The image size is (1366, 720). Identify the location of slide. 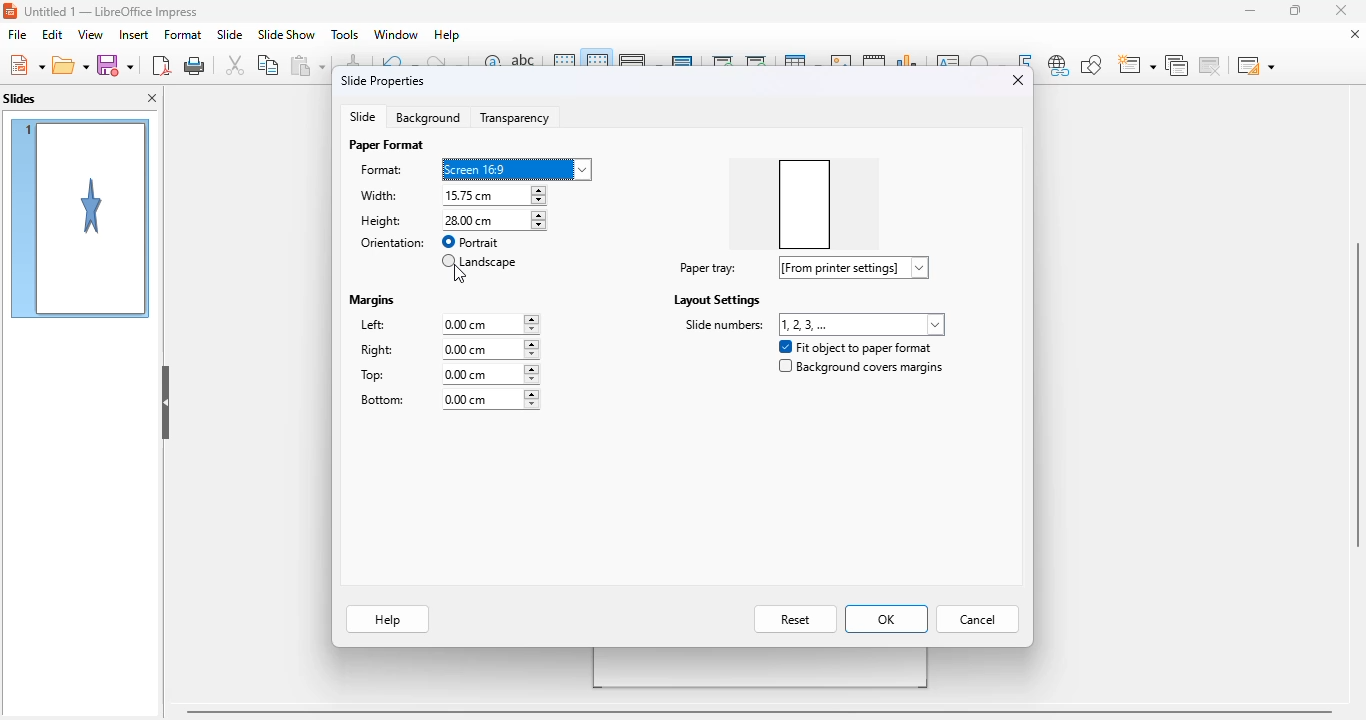
(231, 35).